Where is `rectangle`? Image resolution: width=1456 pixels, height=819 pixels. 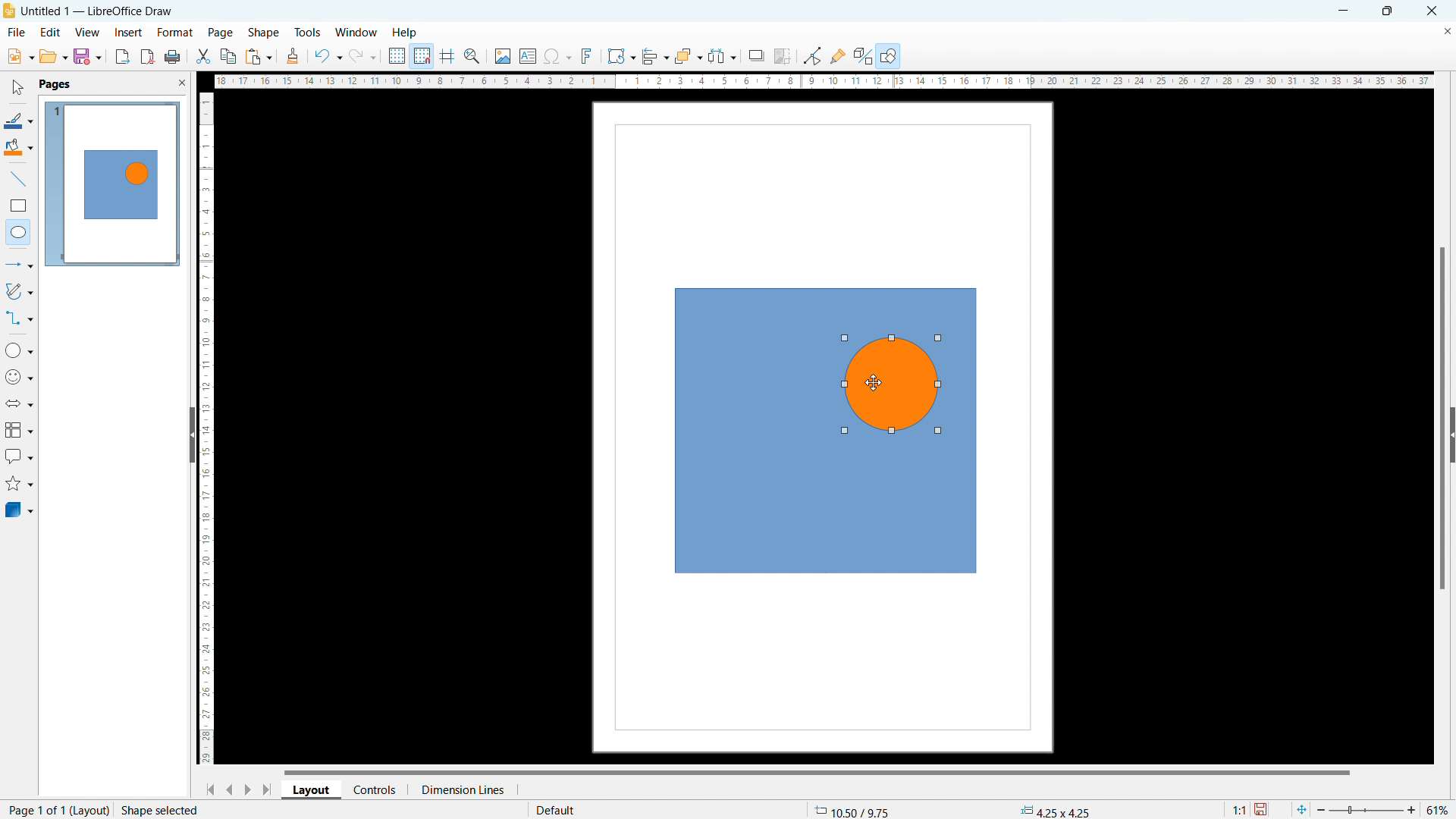
rectangle is located at coordinates (18, 206).